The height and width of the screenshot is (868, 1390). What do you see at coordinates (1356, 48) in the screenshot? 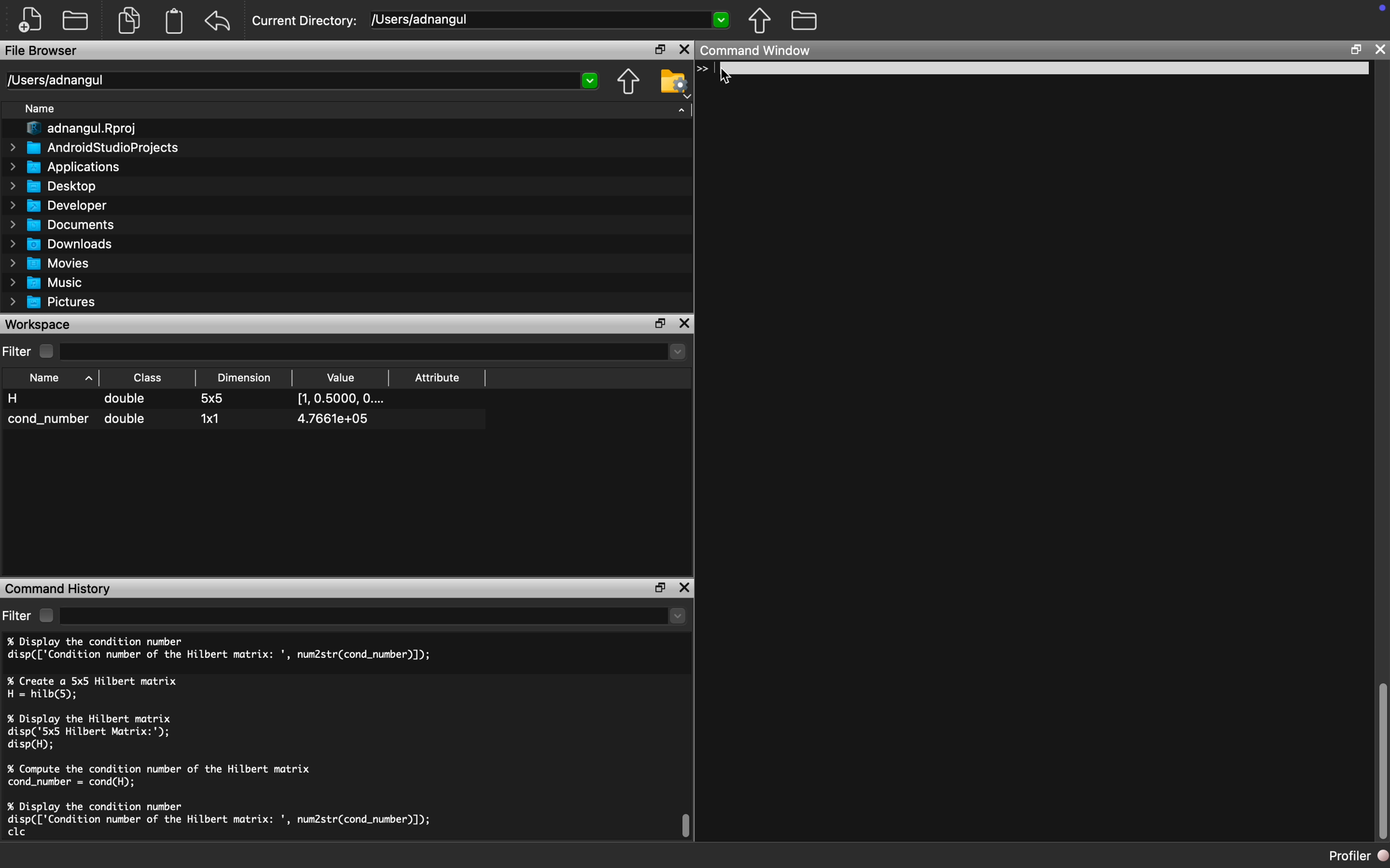
I see `Restore Down` at bounding box center [1356, 48].